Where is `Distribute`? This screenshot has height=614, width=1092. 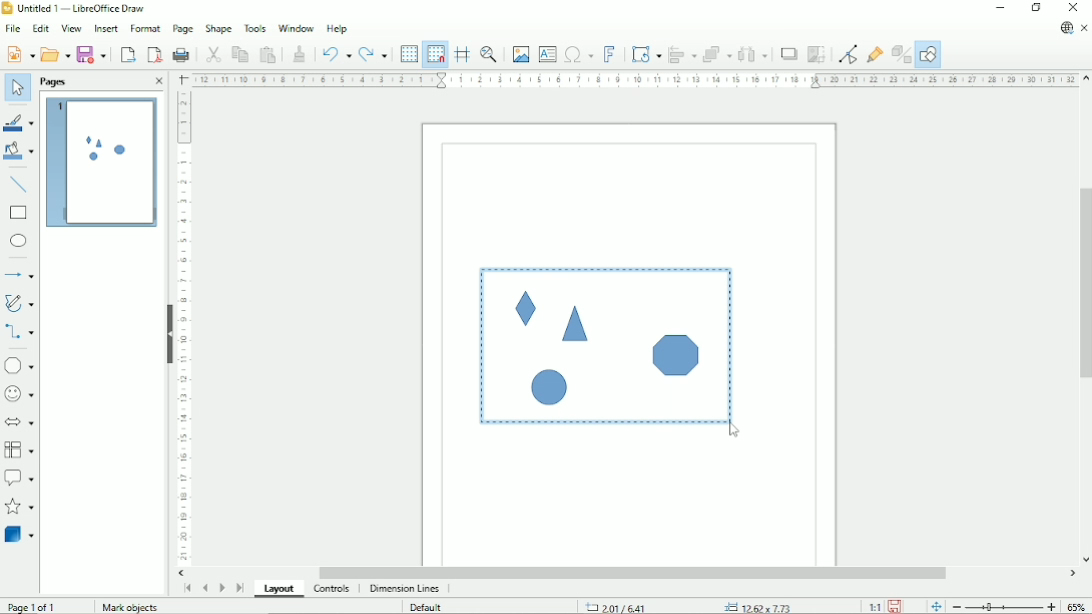 Distribute is located at coordinates (752, 53).